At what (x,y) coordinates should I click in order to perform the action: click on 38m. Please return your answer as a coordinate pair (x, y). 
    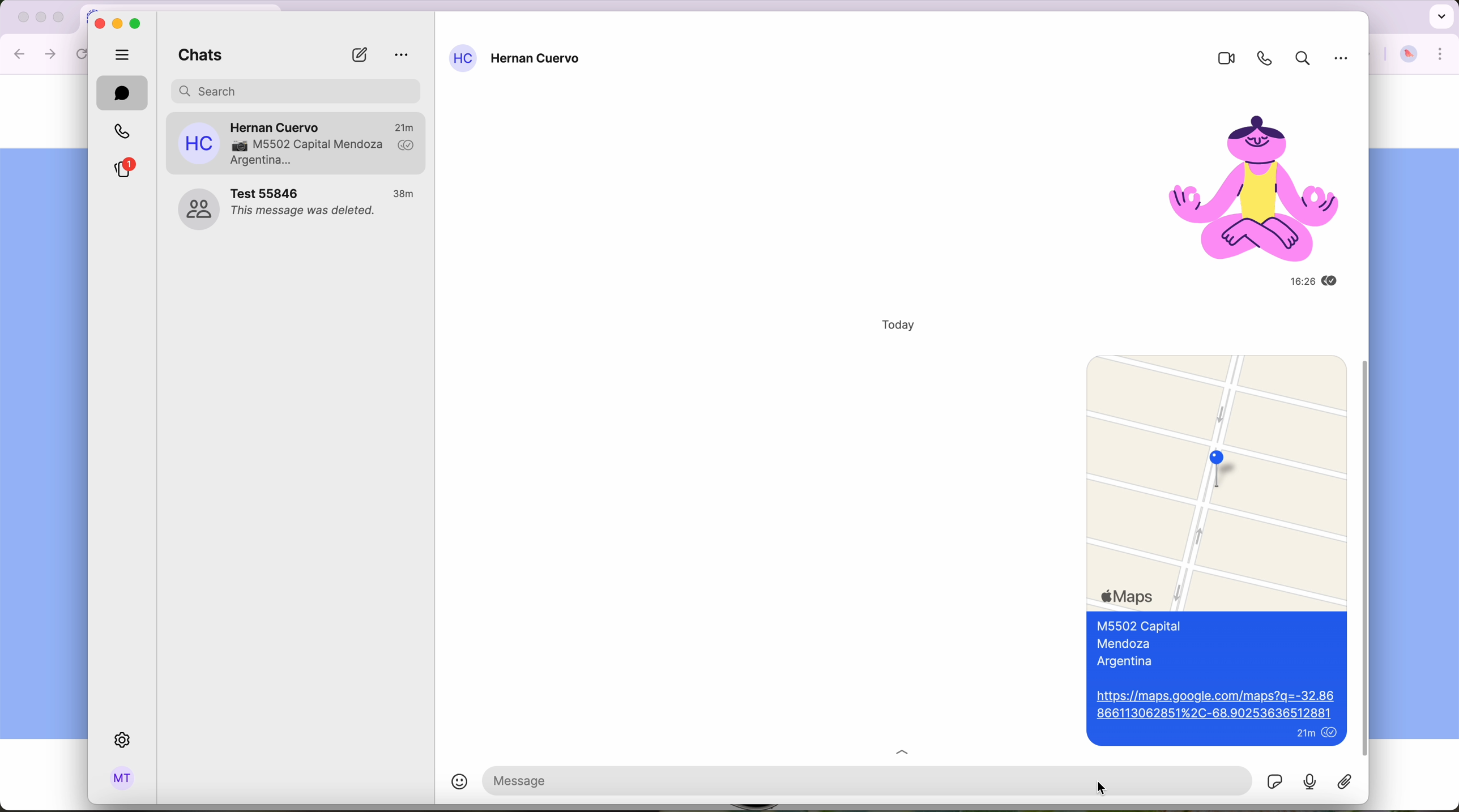
    Looking at the image, I should click on (405, 194).